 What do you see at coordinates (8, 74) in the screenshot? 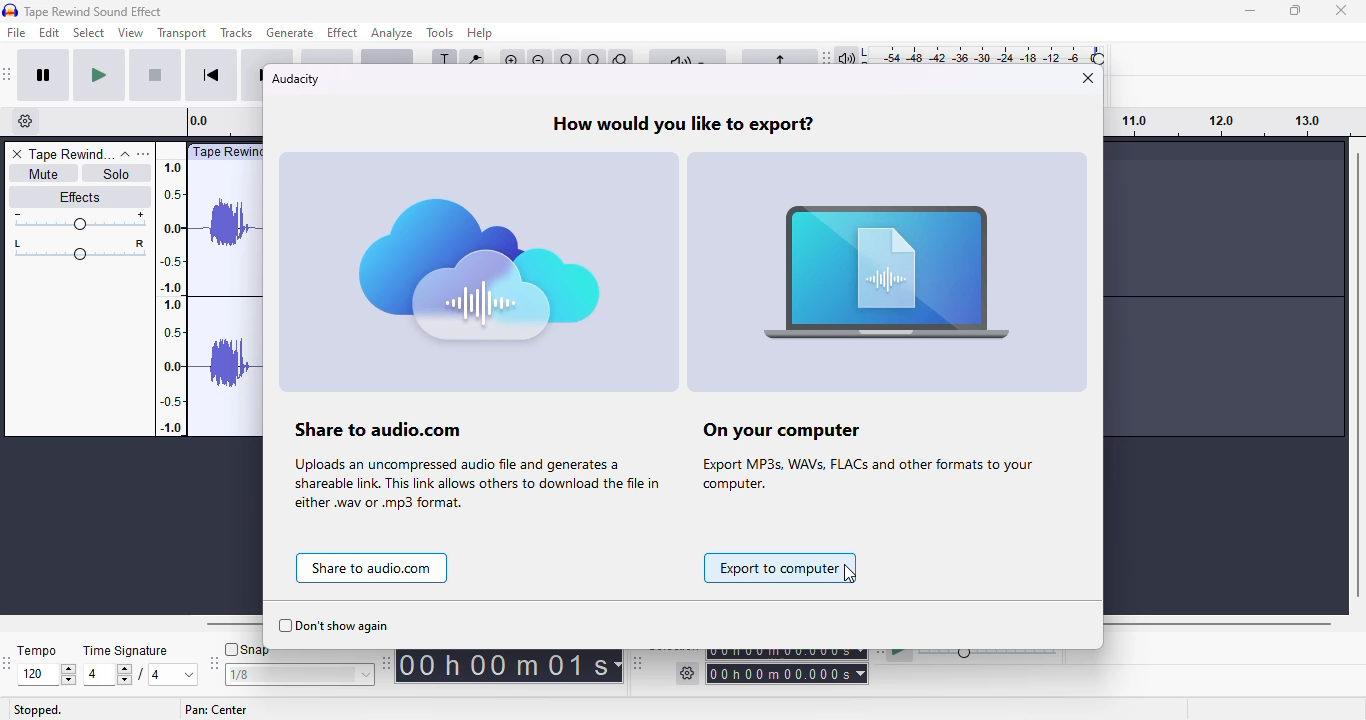
I see `audacity transport toolbar` at bounding box center [8, 74].